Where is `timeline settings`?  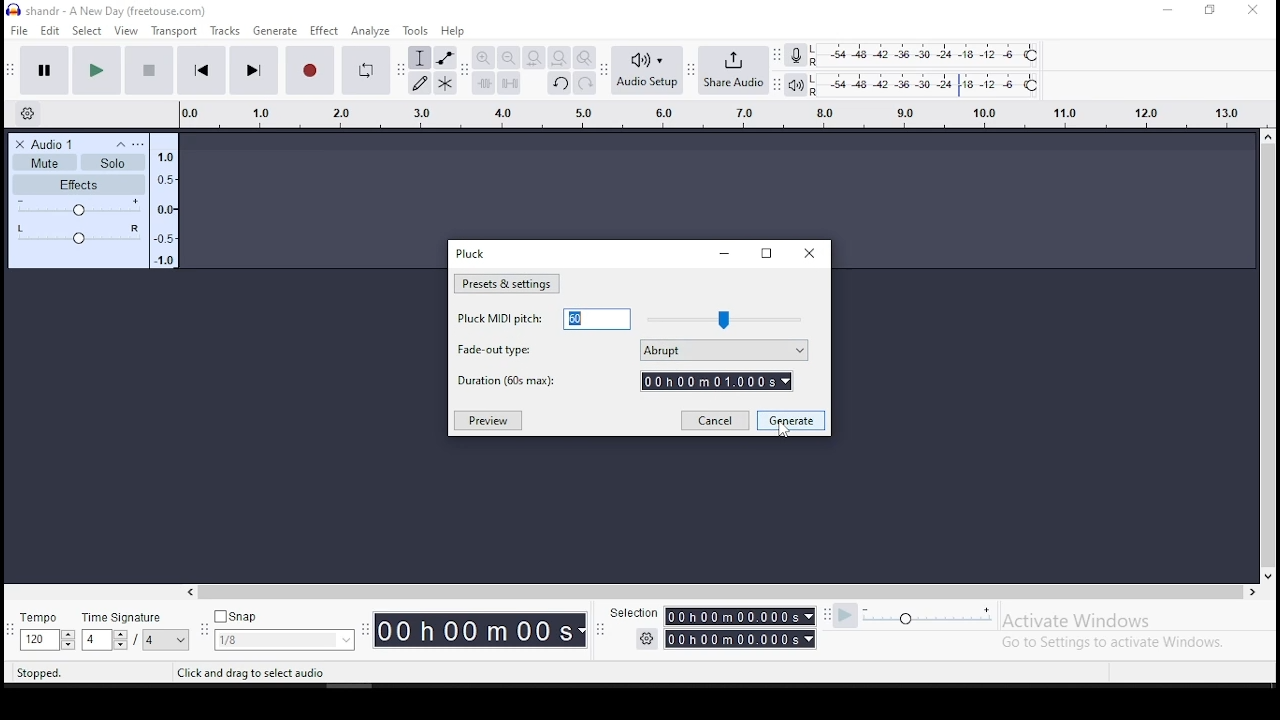 timeline settings is located at coordinates (26, 116).